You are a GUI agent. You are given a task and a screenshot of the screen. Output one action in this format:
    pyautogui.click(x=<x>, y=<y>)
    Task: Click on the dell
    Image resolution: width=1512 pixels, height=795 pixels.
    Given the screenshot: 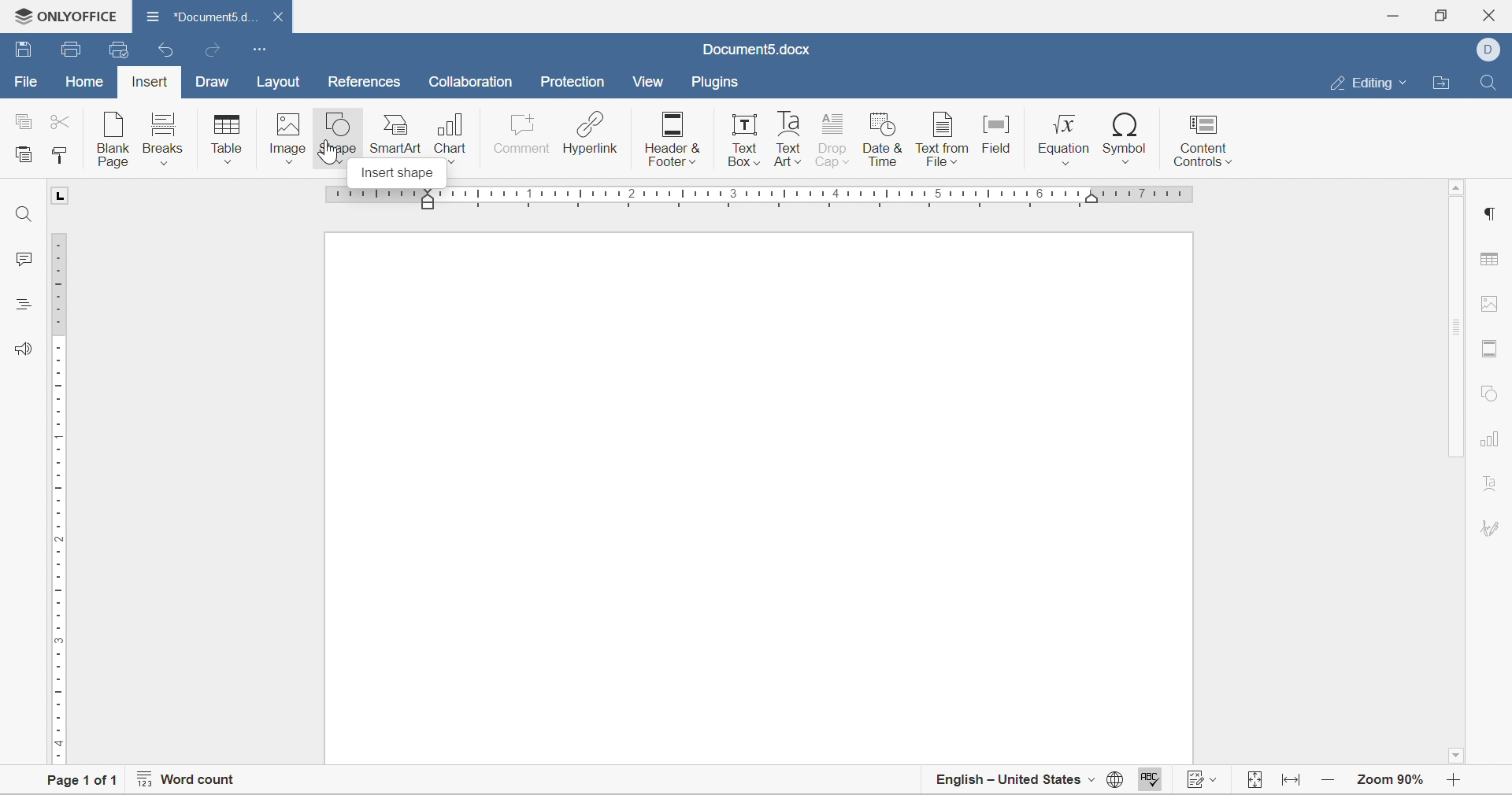 What is the action you would take?
    pyautogui.click(x=1491, y=50)
    